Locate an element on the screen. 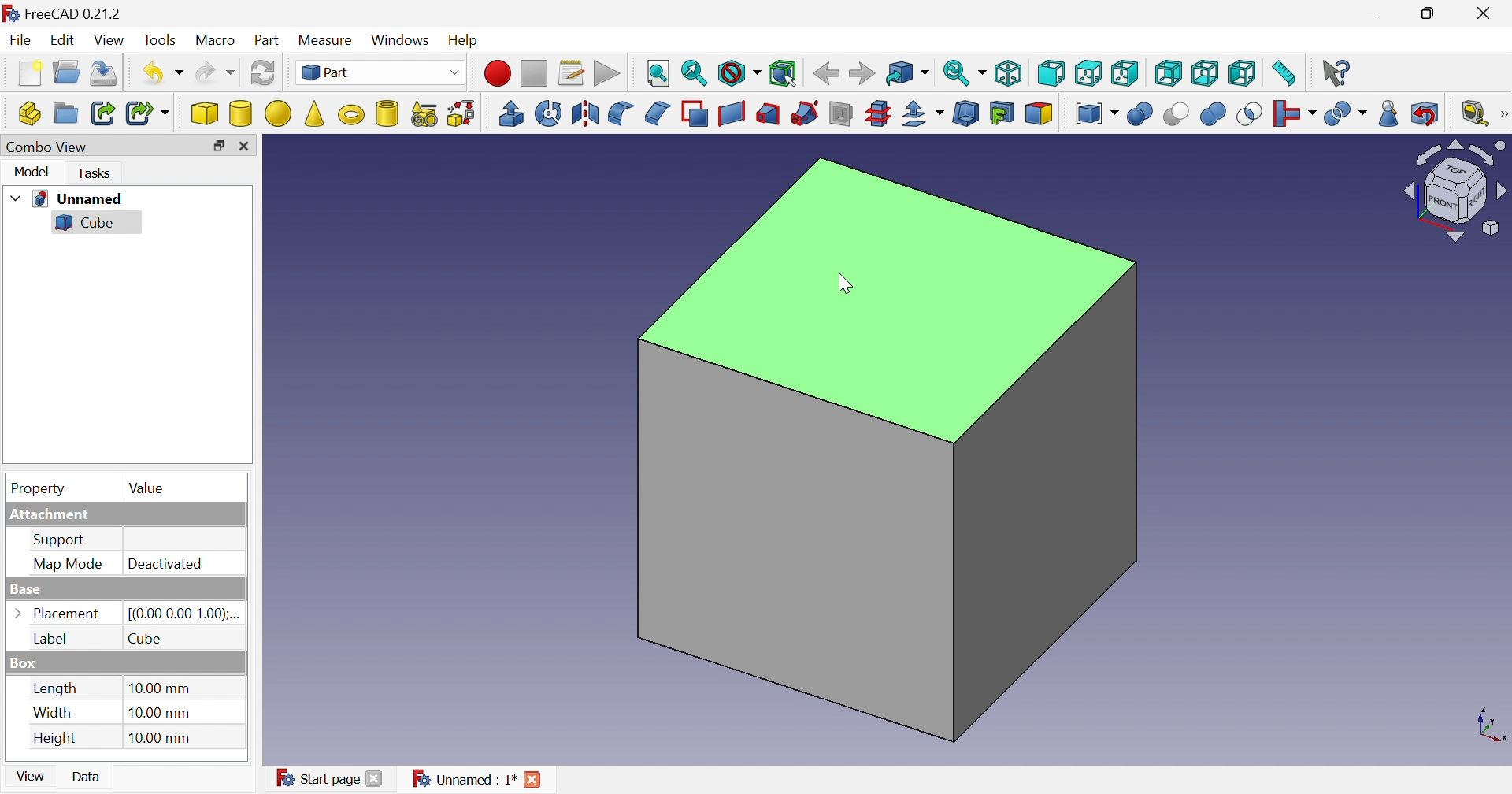 The height and width of the screenshot is (794, 1512). Rear is located at coordinates (1170, 73).